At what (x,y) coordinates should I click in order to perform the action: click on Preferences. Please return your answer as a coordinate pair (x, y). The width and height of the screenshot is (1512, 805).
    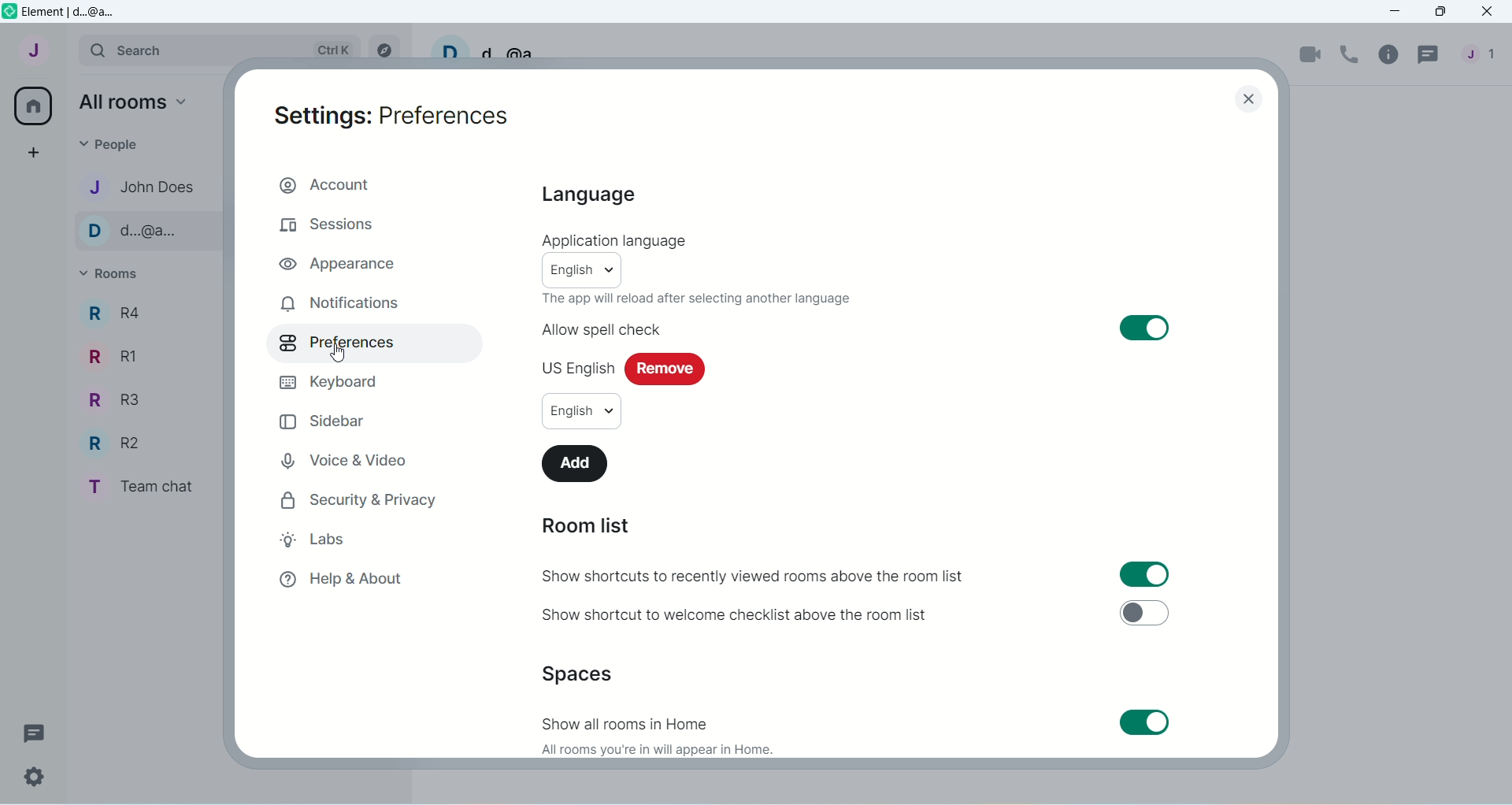
    Looking at the image, I should click on (338, 348).